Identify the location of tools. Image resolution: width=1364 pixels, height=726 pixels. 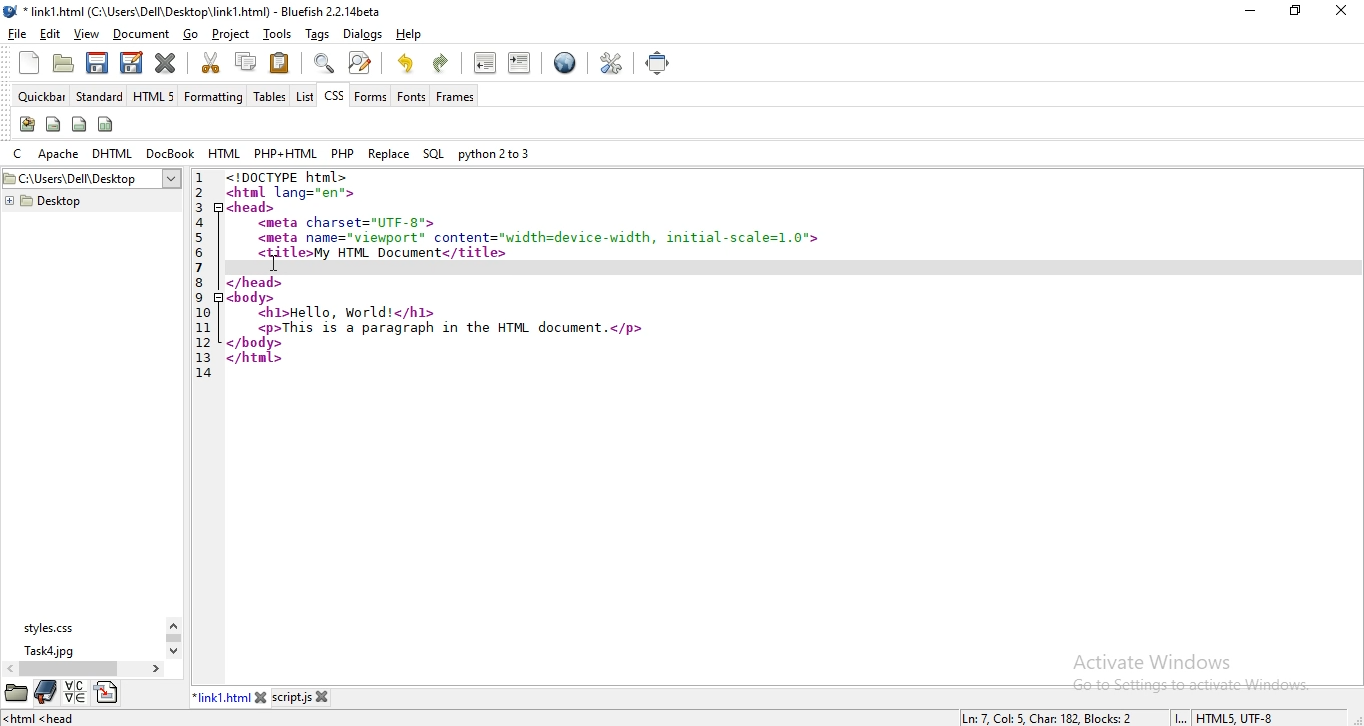
(279, 35).